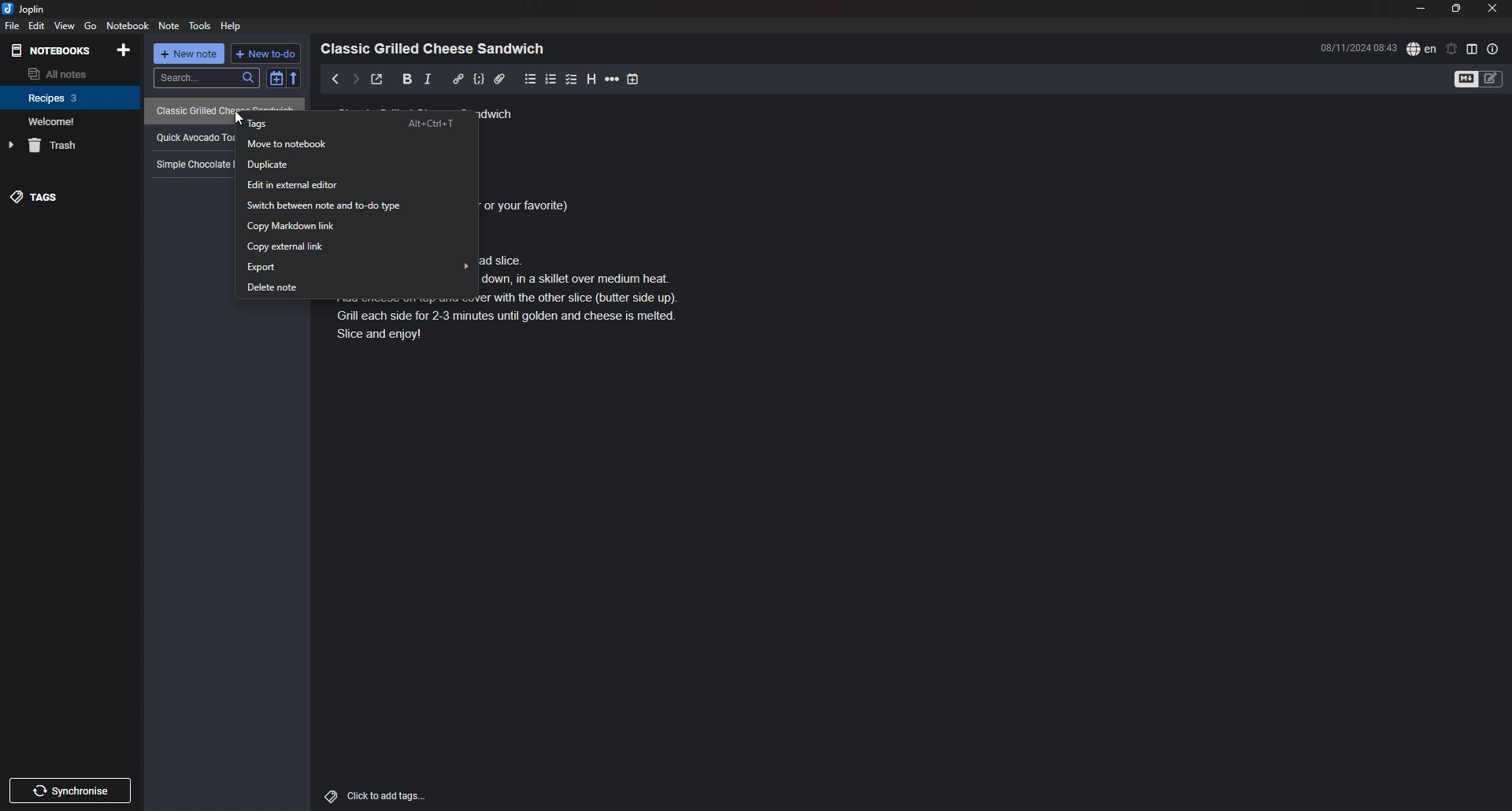  I want to click on delete note, so click(358, 286).